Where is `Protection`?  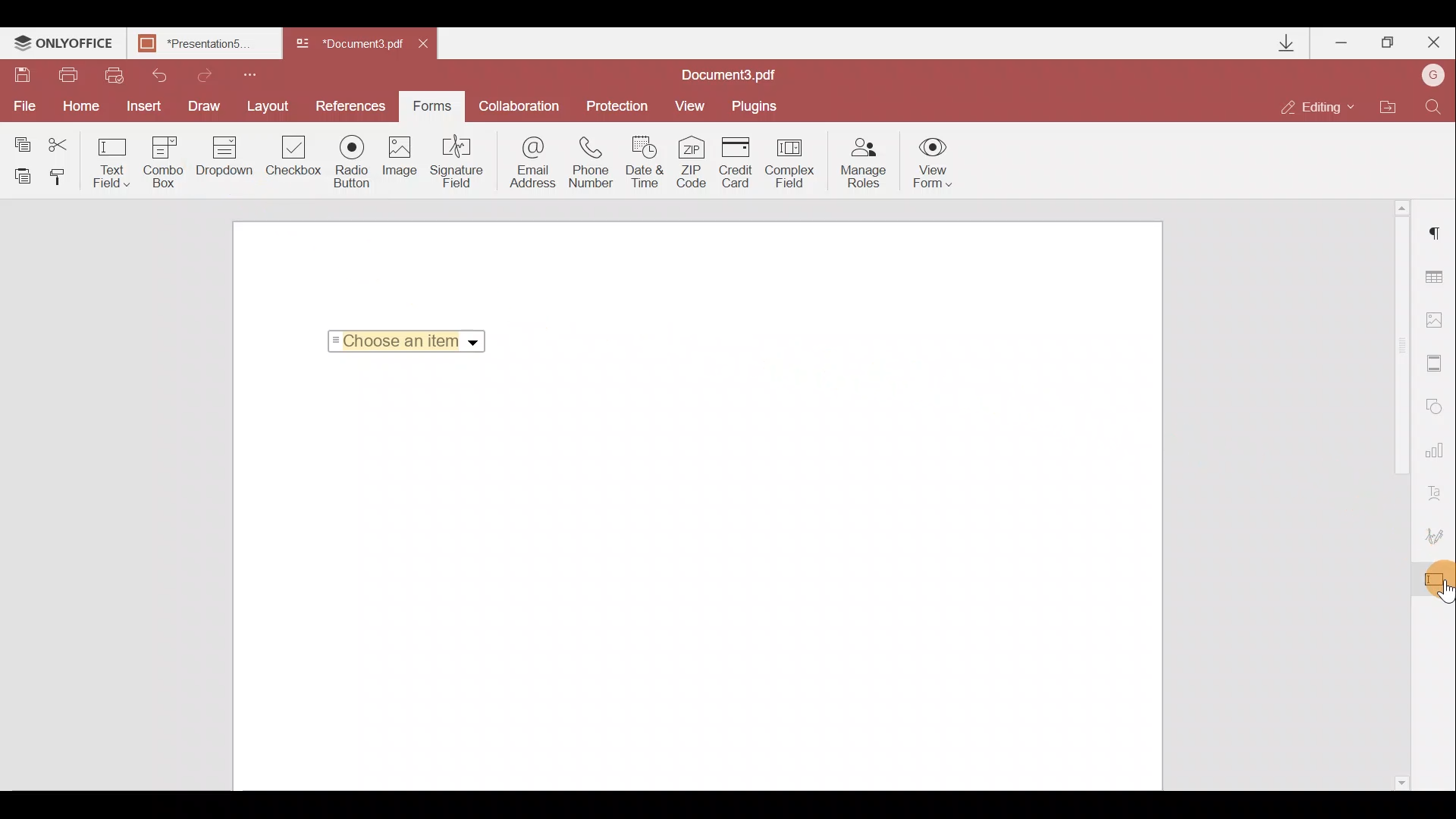
Protection is located at coordinates (613, 108).